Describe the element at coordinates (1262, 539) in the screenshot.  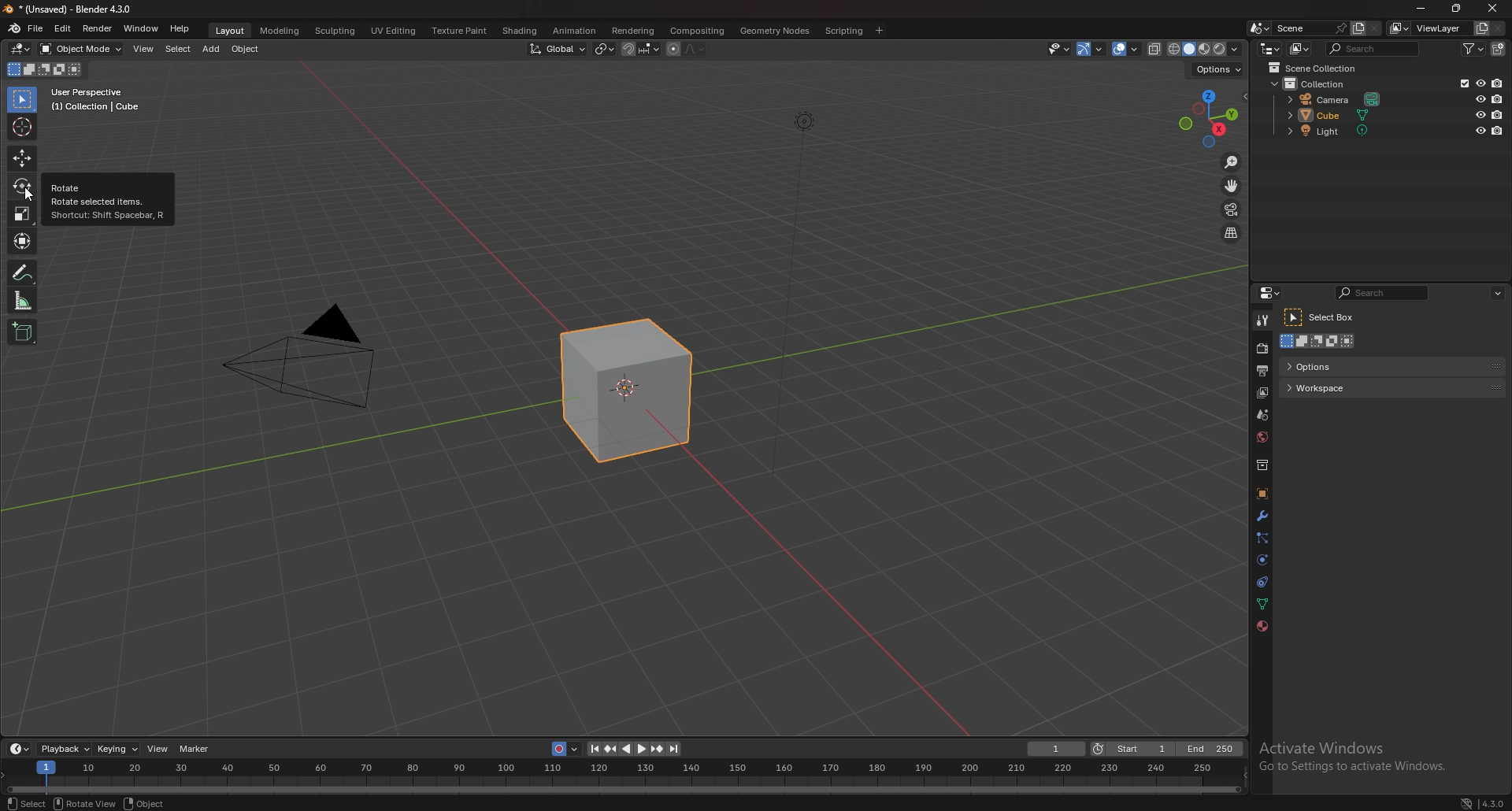
I see `particles` at that location.